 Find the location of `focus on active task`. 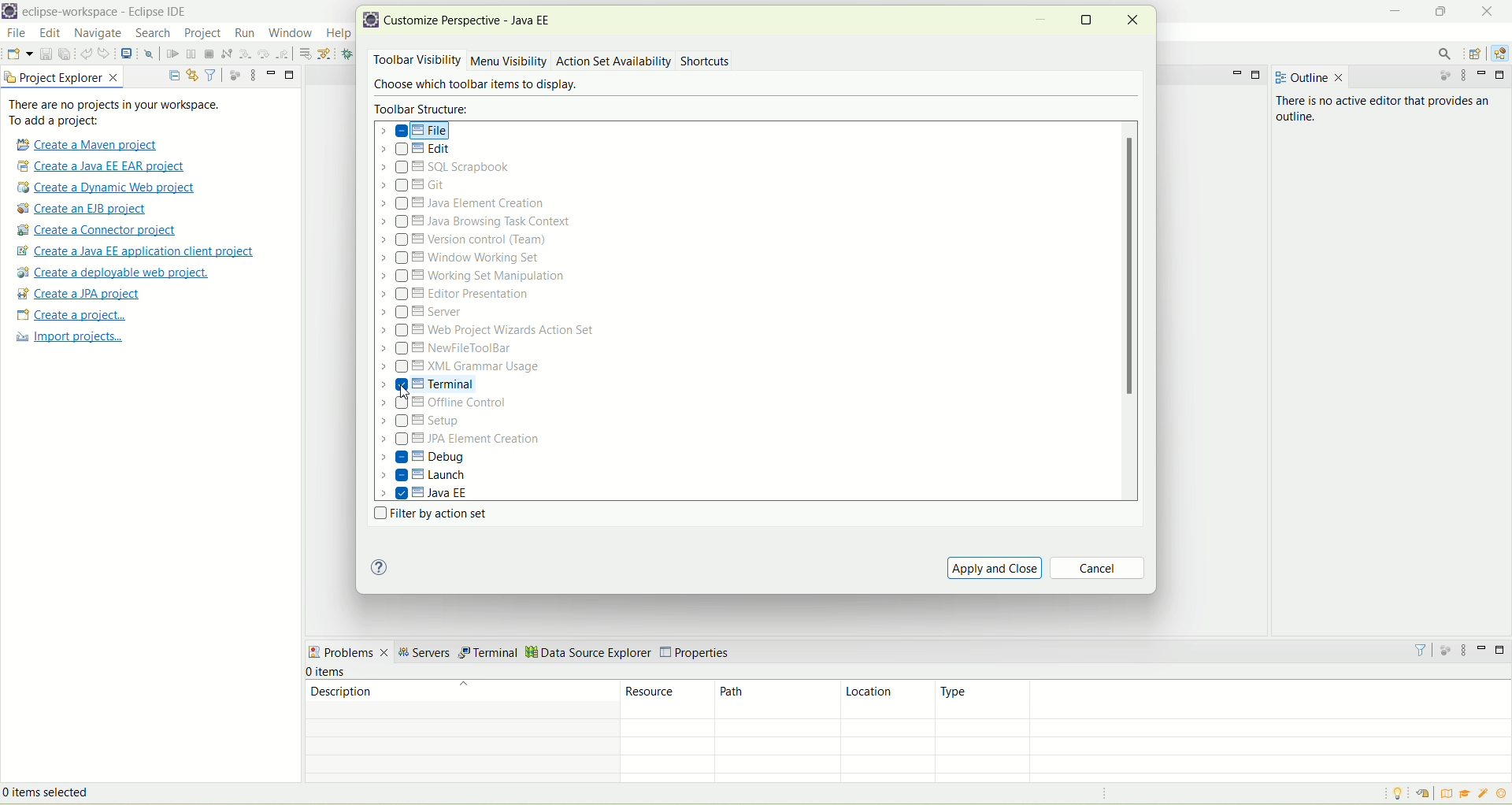

focus on active task is located at coordinates (1447, 651).